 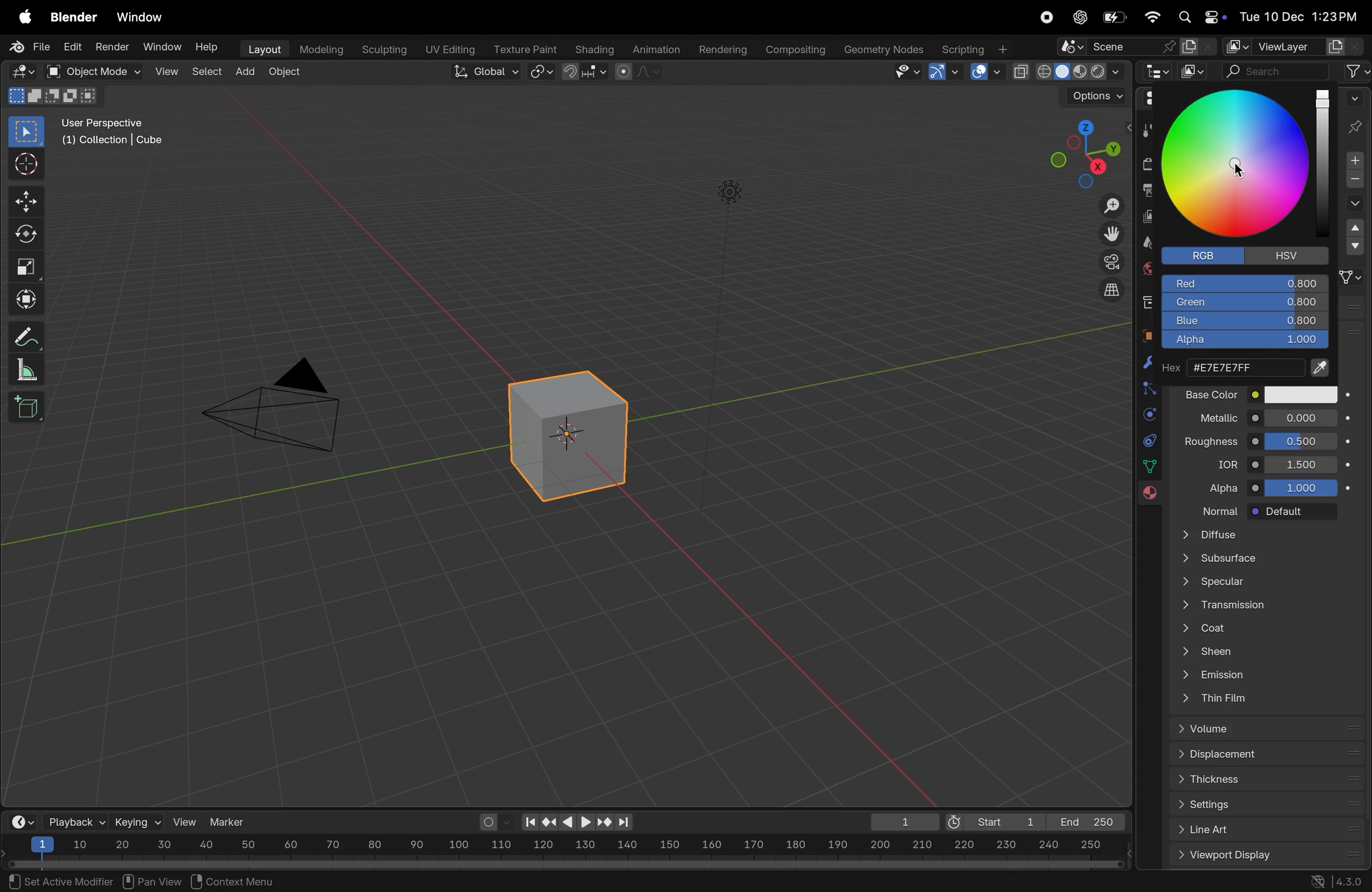 What do you see at coordinates (1333, 882) in the screenshot?
I see `version 4.30` at bounding box center [1333, 882].